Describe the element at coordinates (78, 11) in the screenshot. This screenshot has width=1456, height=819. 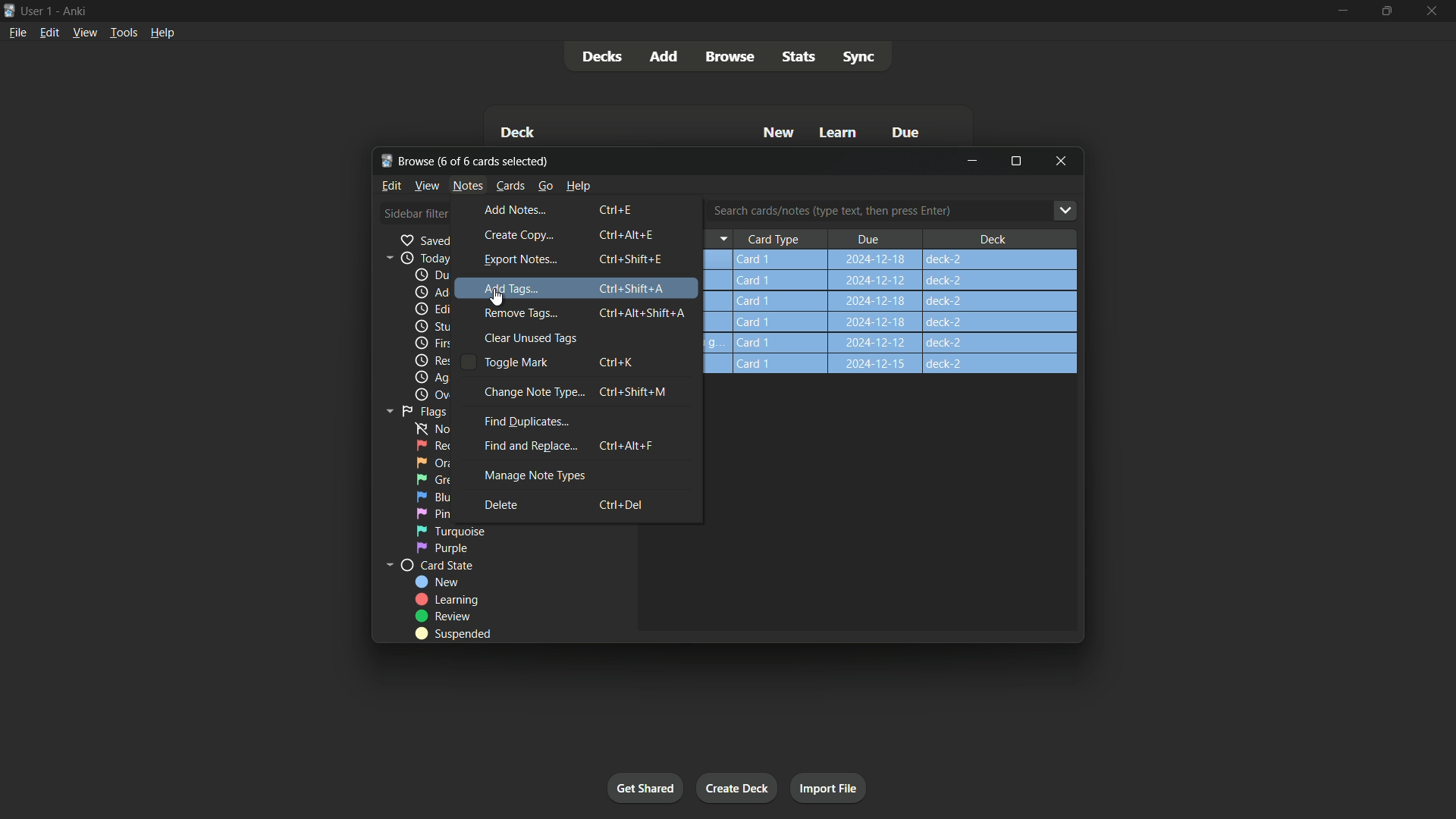
I see `App name` at that location.